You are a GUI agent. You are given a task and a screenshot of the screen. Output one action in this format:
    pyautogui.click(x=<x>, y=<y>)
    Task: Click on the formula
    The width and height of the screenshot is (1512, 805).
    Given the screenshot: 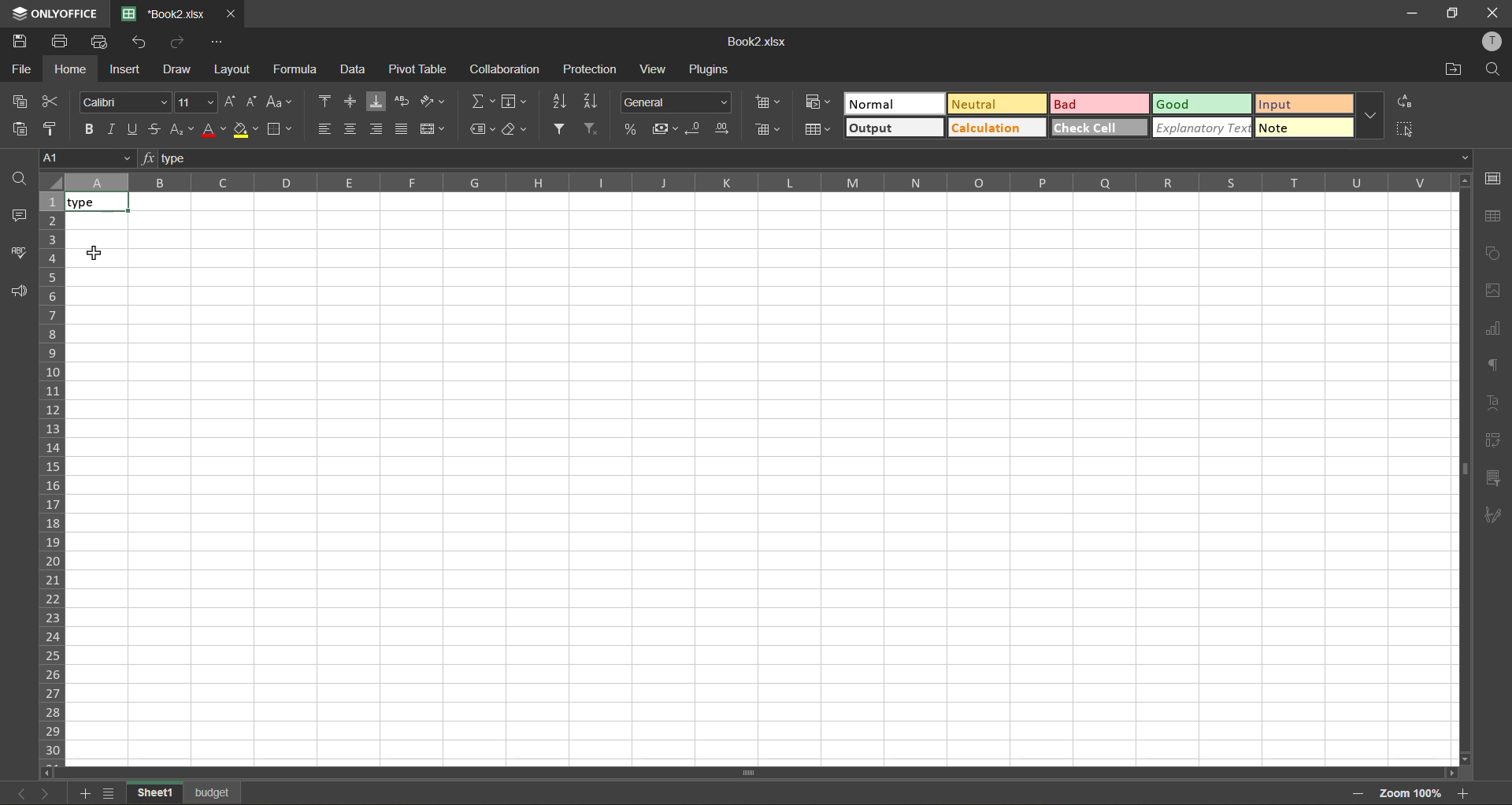 What is the action you would take?
    pyautogui.click(x=296, y=69)
    